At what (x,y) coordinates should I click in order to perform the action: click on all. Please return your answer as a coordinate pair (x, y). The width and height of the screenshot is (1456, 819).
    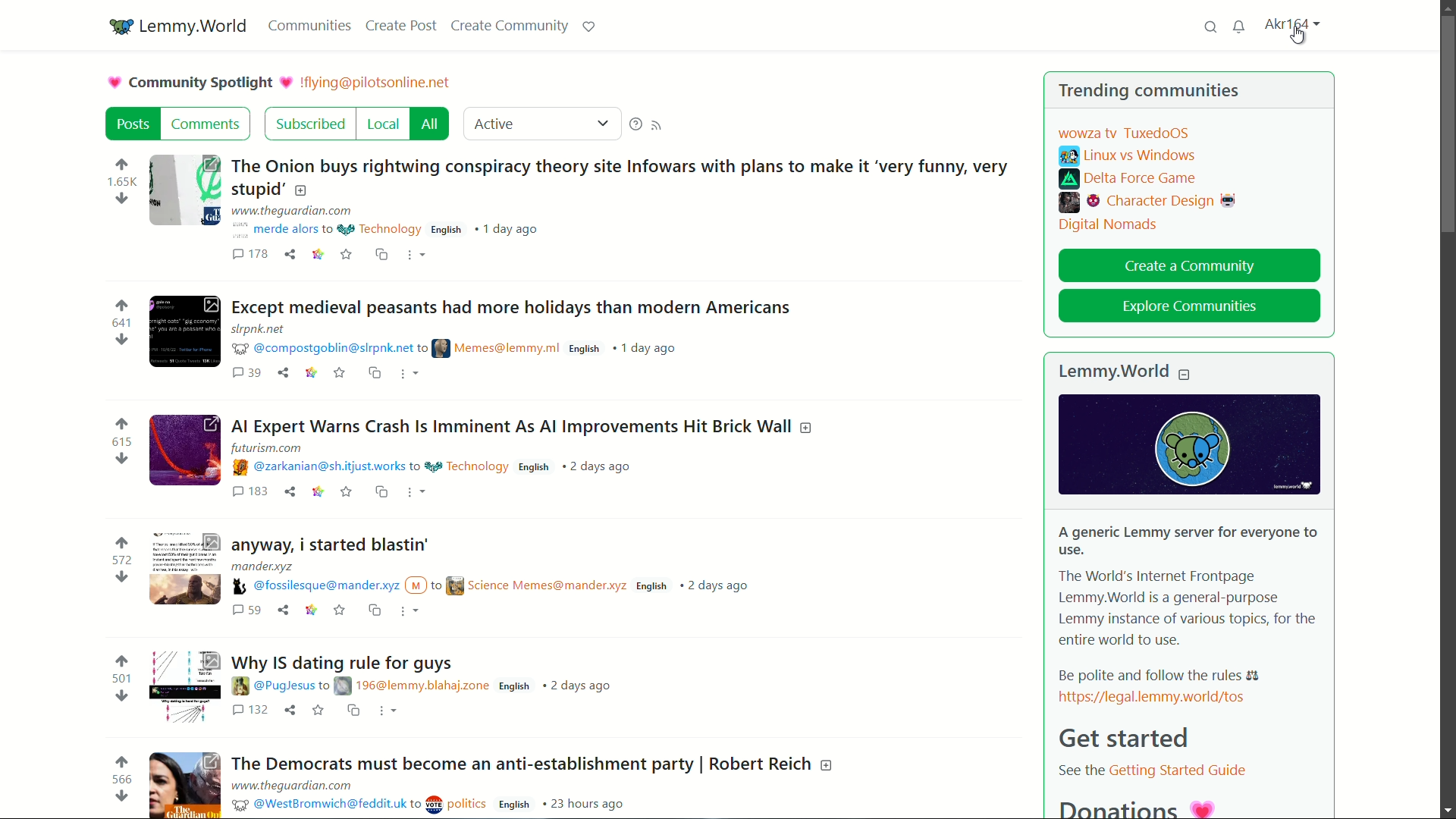
    Looking at the image, I should click on (433, 124).